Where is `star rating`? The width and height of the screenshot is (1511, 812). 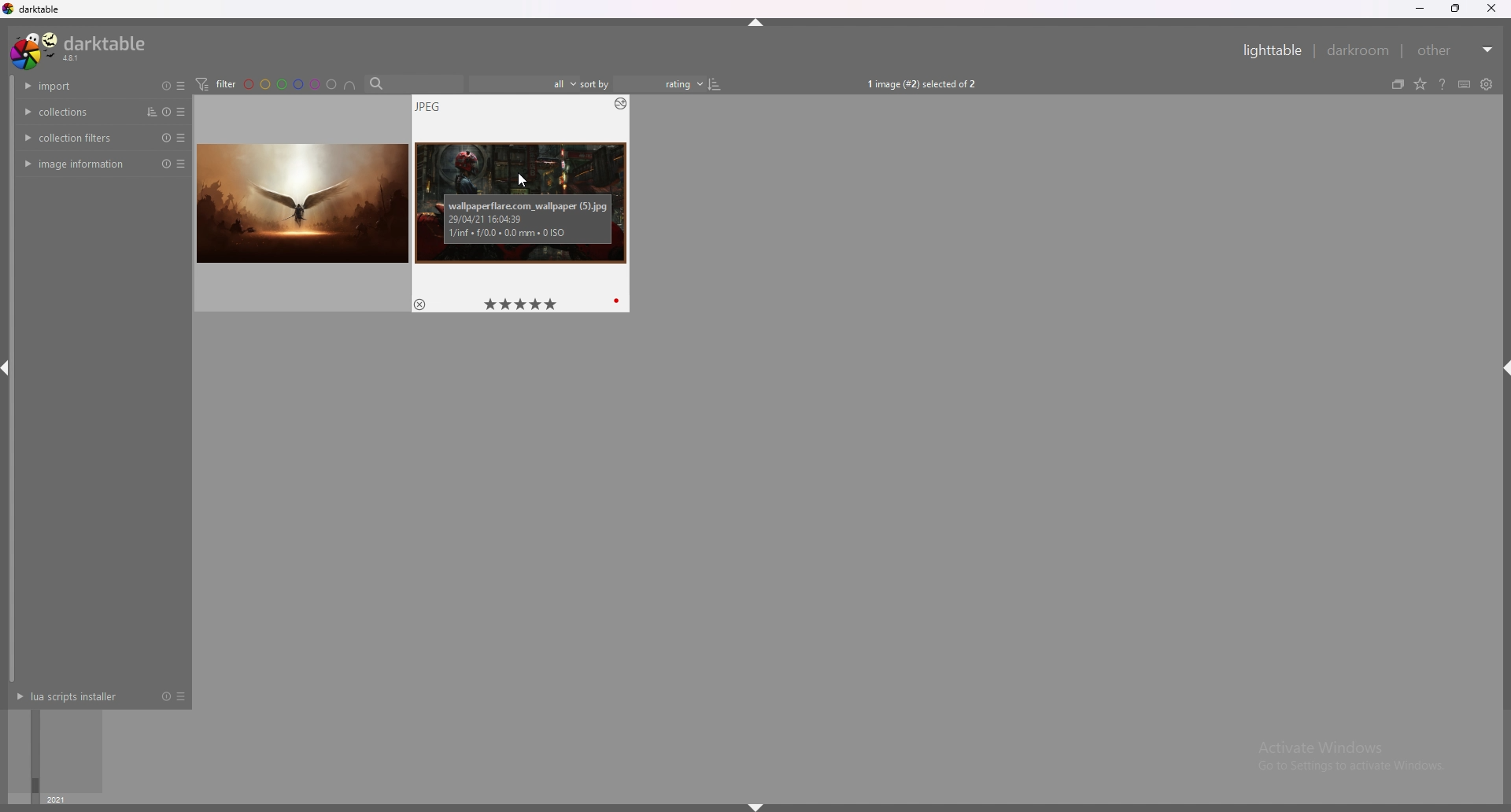
star rating is located at coordinates (519, 304).